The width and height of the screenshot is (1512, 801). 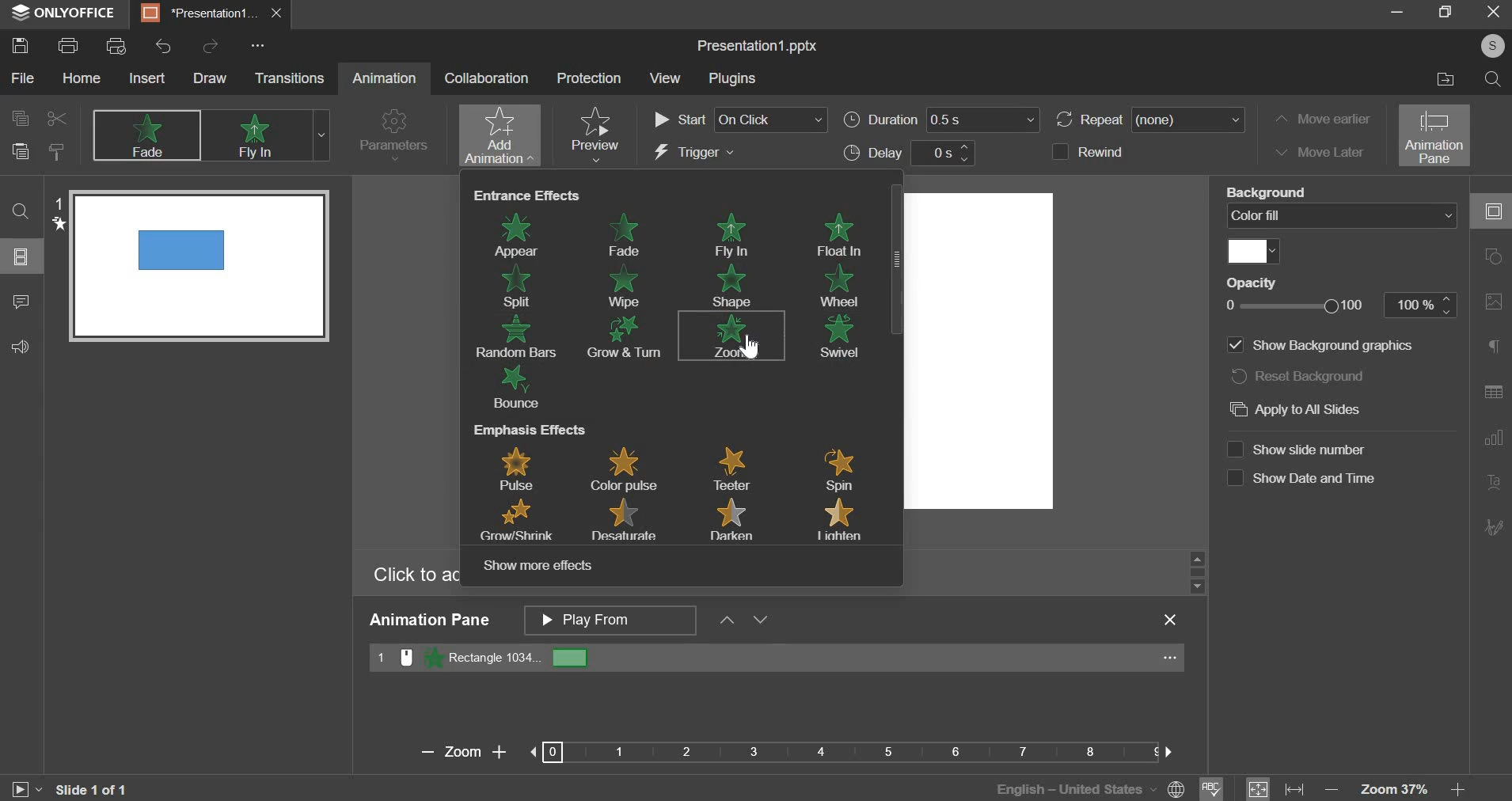 What do you see at coordinates (519, 287) in the screenshot?
I see `split` at bounding box center [519, 287].